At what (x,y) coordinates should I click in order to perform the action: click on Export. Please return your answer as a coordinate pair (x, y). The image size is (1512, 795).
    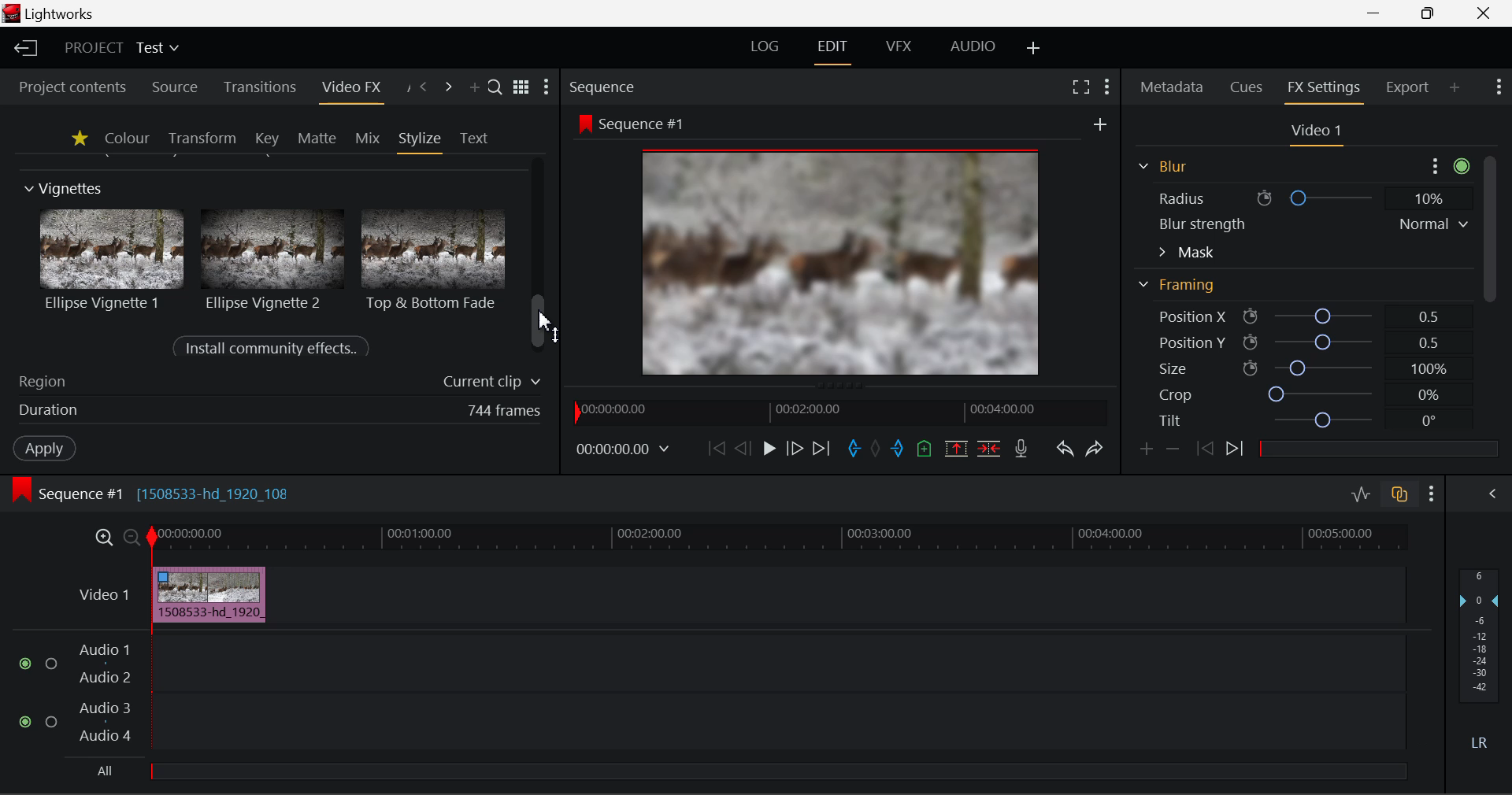
    Looking at the image, I should click on (1407, 84).